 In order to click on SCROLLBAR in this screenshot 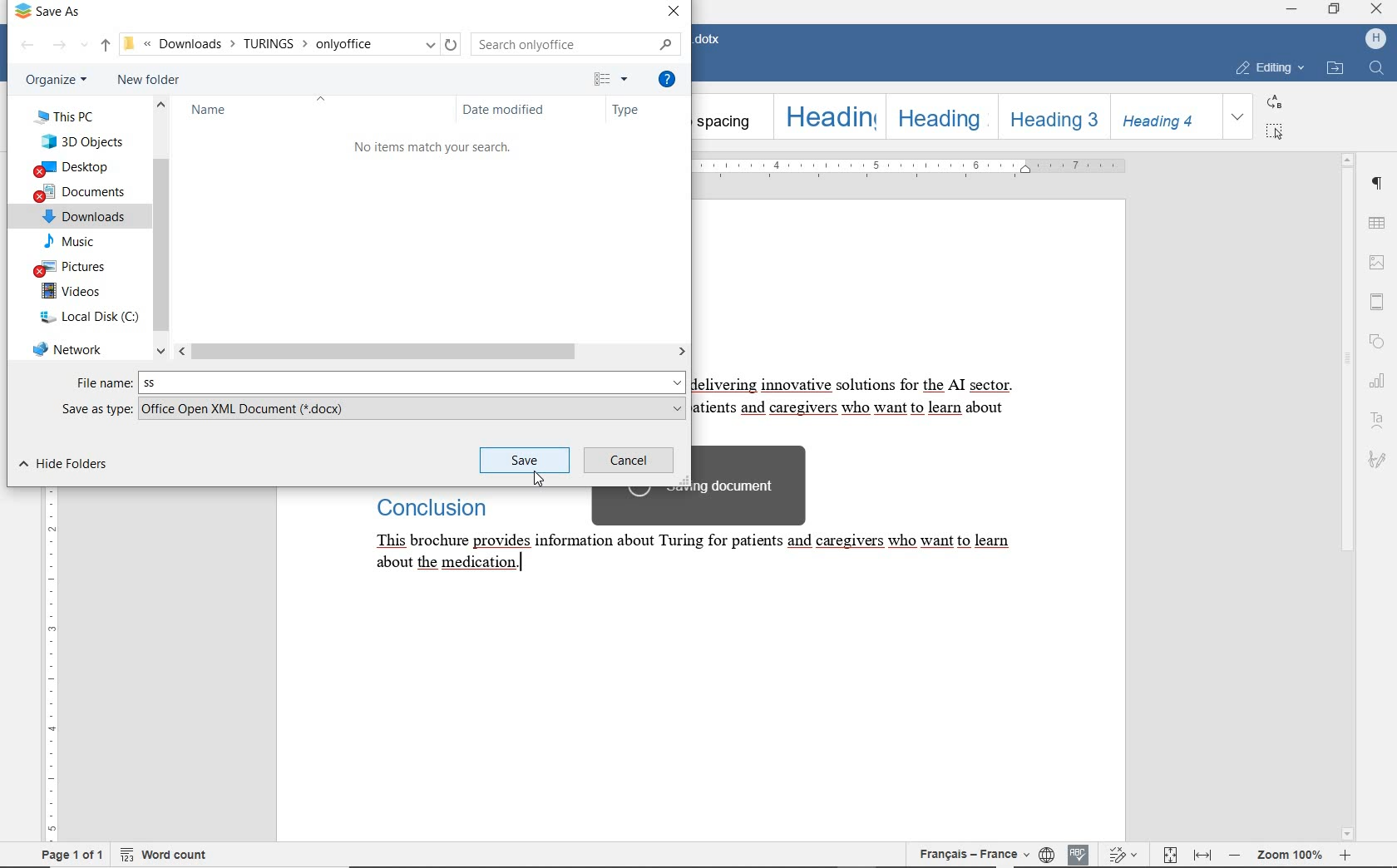, I will do `click(1347, 497)`.